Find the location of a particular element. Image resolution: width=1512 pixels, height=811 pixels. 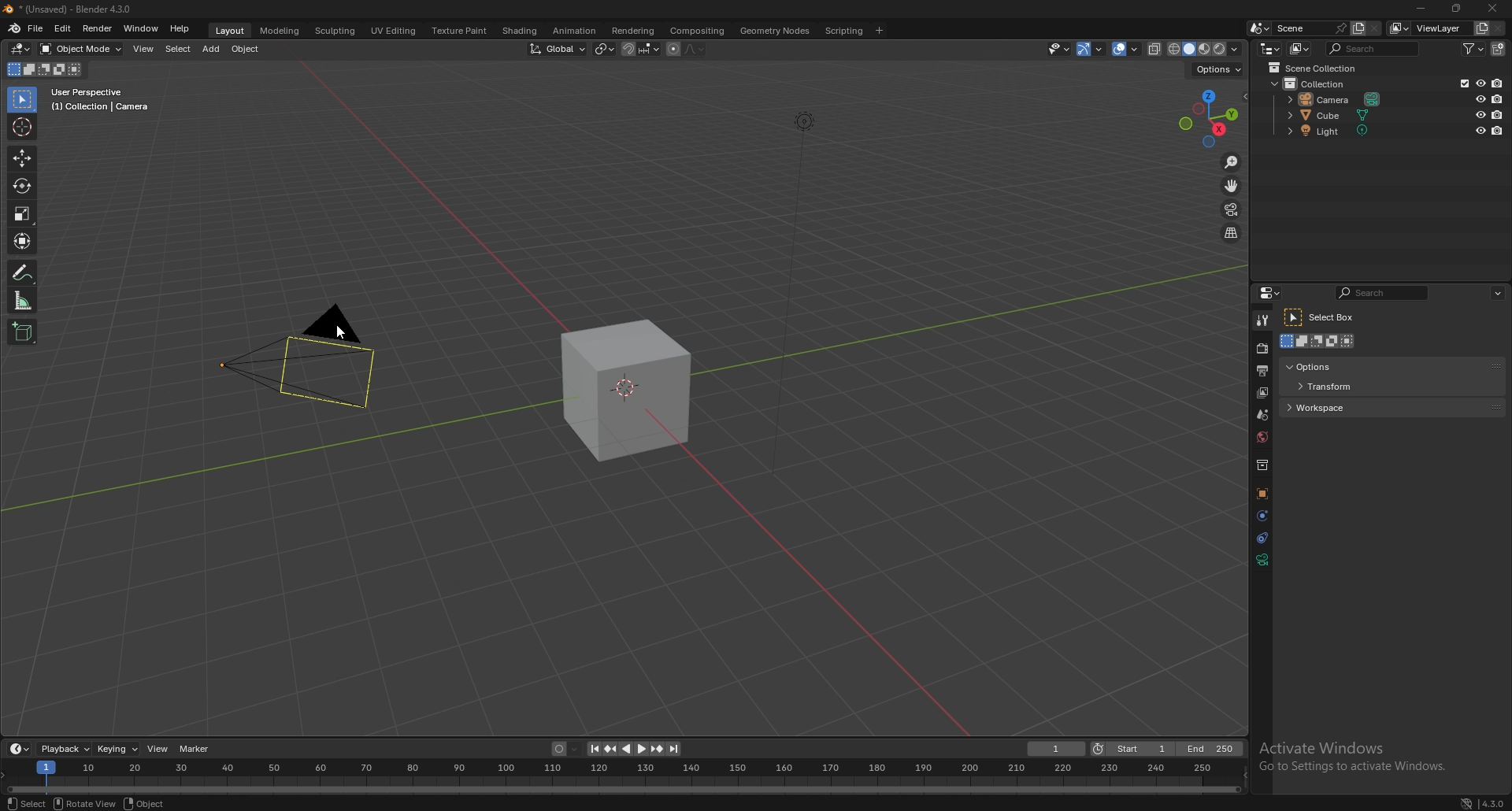

hide in viewport is located at coordinates (1478, 100).